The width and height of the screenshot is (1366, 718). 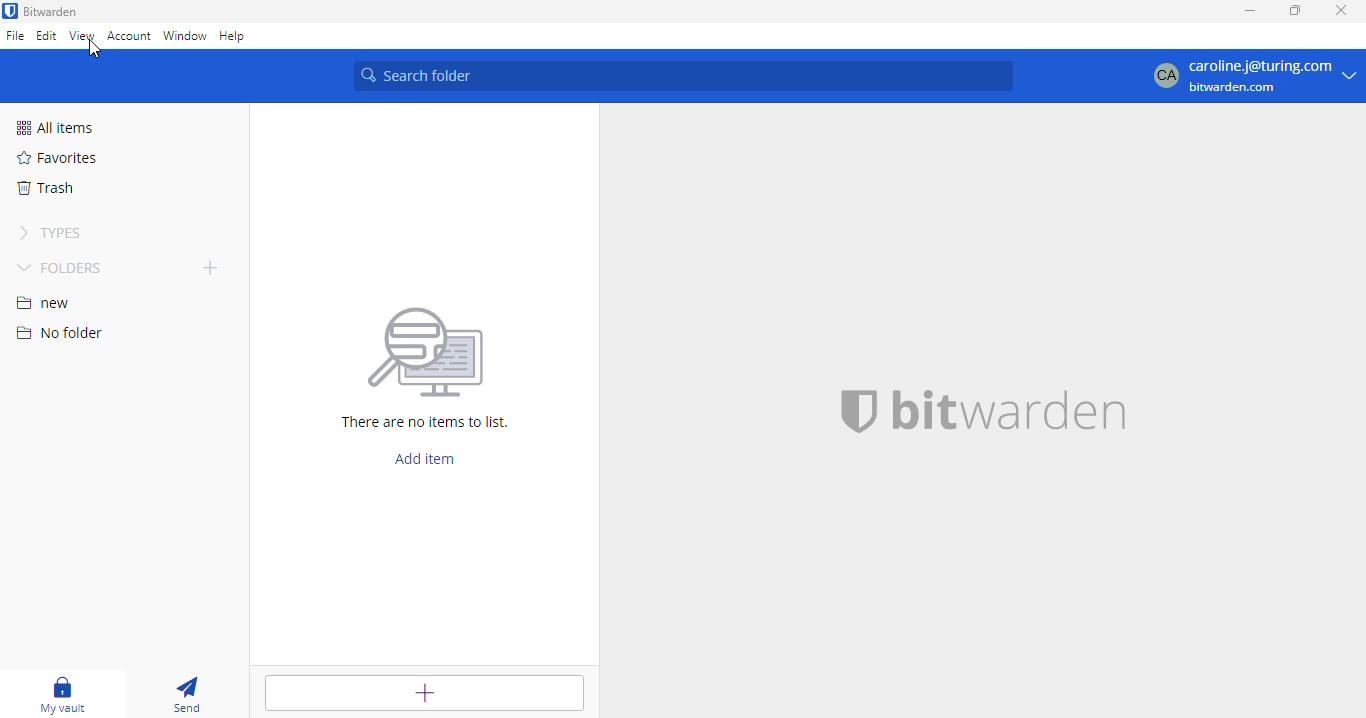 I want to click on logo, so click(x=10, y=10).